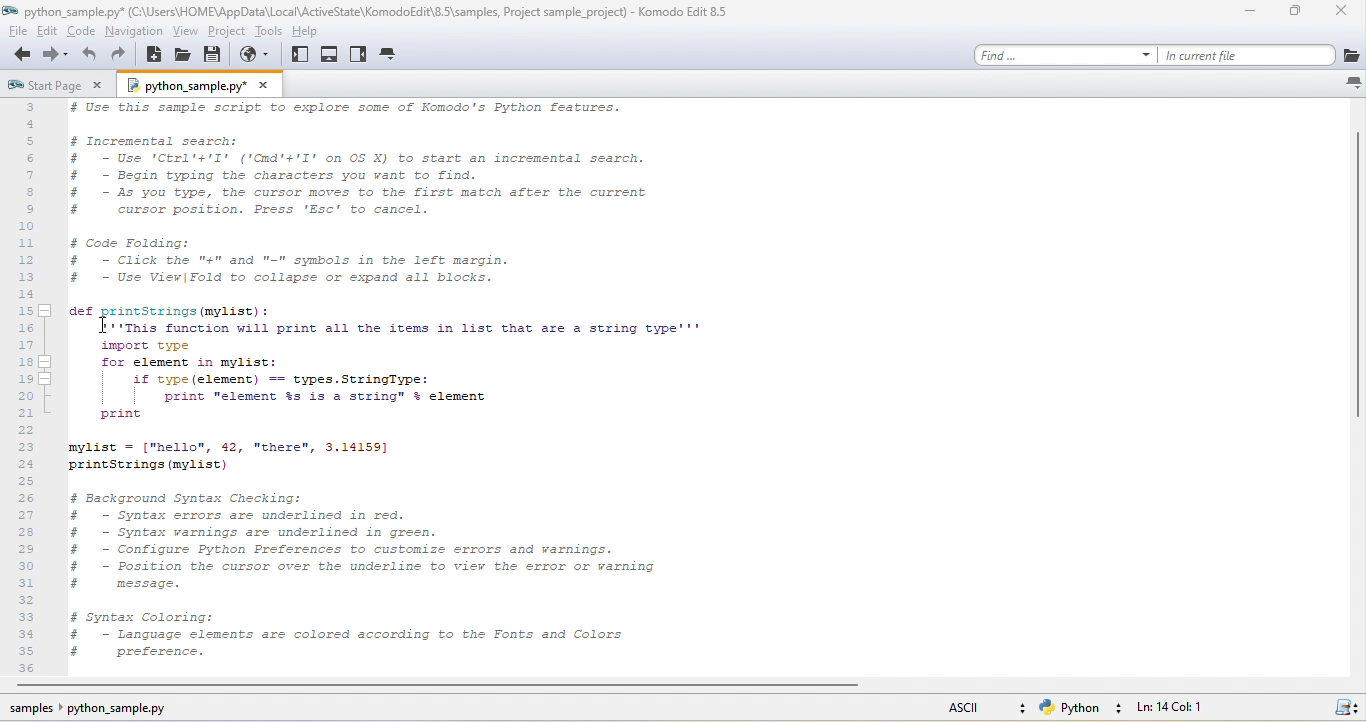  Describe the element at coordinates (1083, 710) in the screenshot. I see `python` at that location.